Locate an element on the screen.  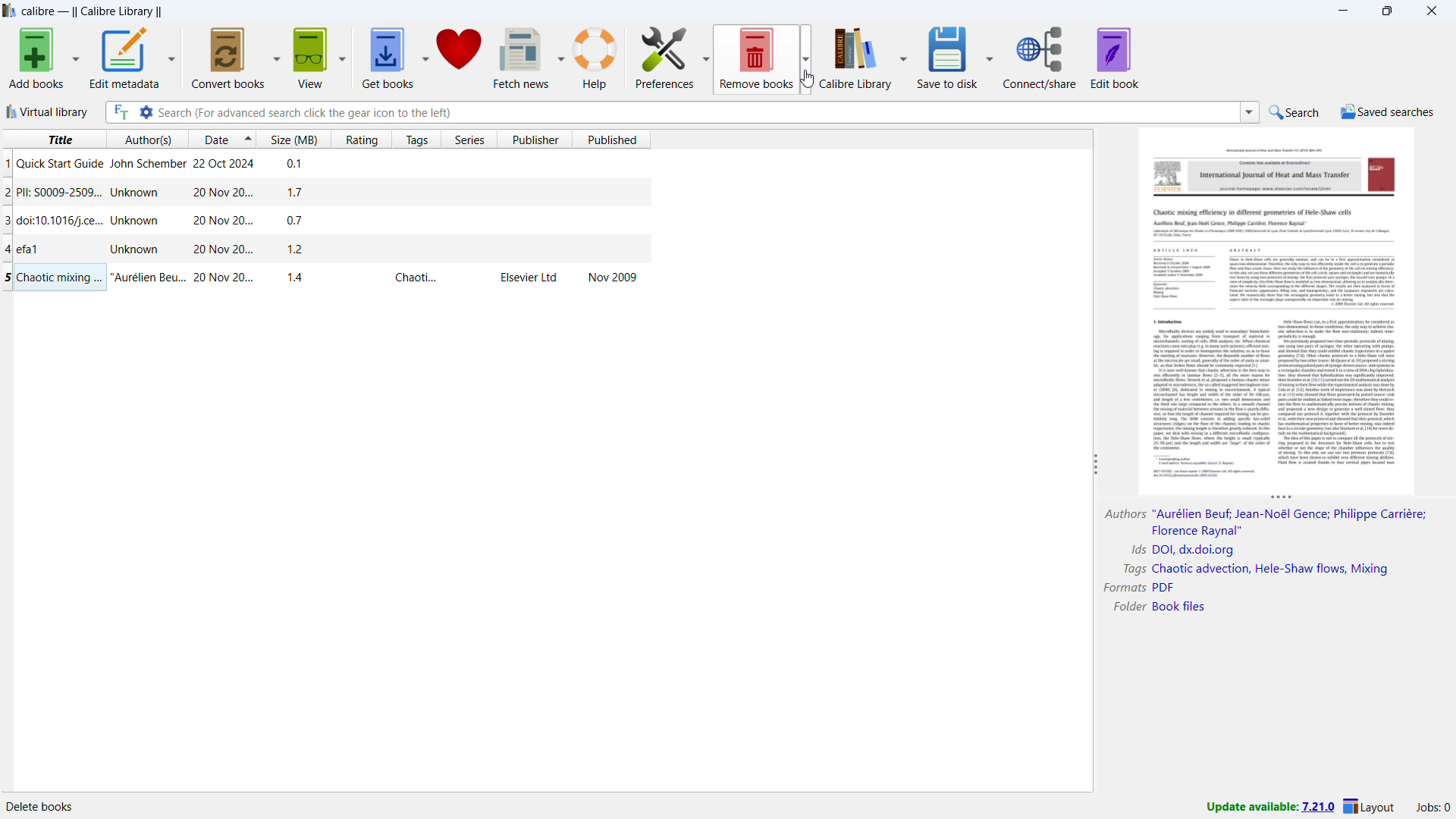
search history is located at coordinates (1250, 113).